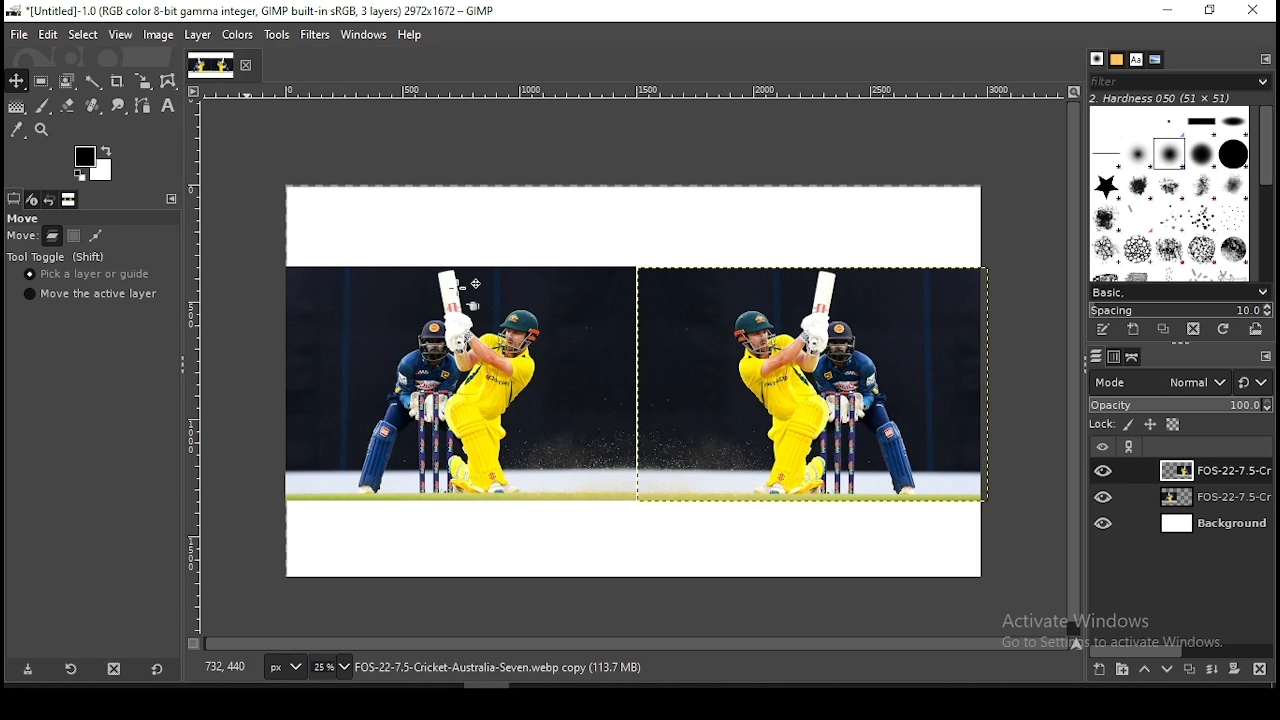 The width and height of the screenshot is (1280, 720). I want to click on close, so click(247, 66).